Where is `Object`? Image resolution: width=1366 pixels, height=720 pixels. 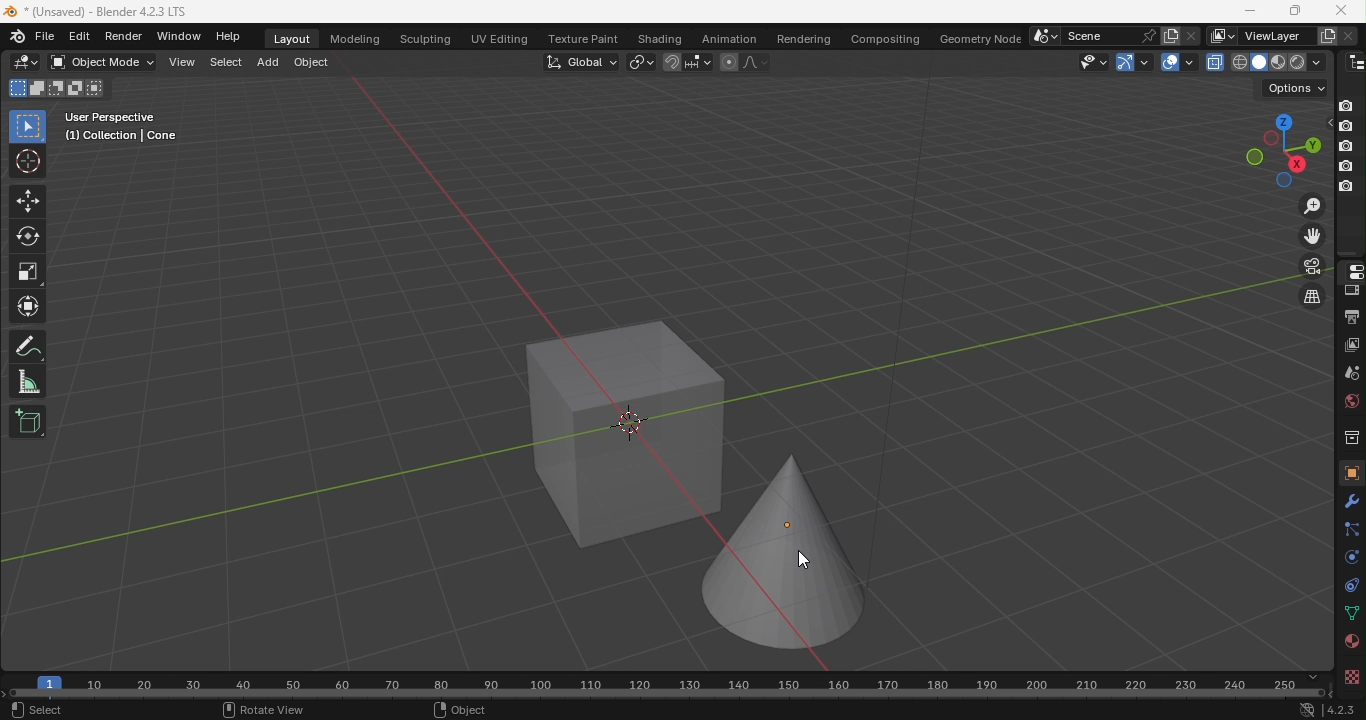
Object is located at coordinates (1349, 472).